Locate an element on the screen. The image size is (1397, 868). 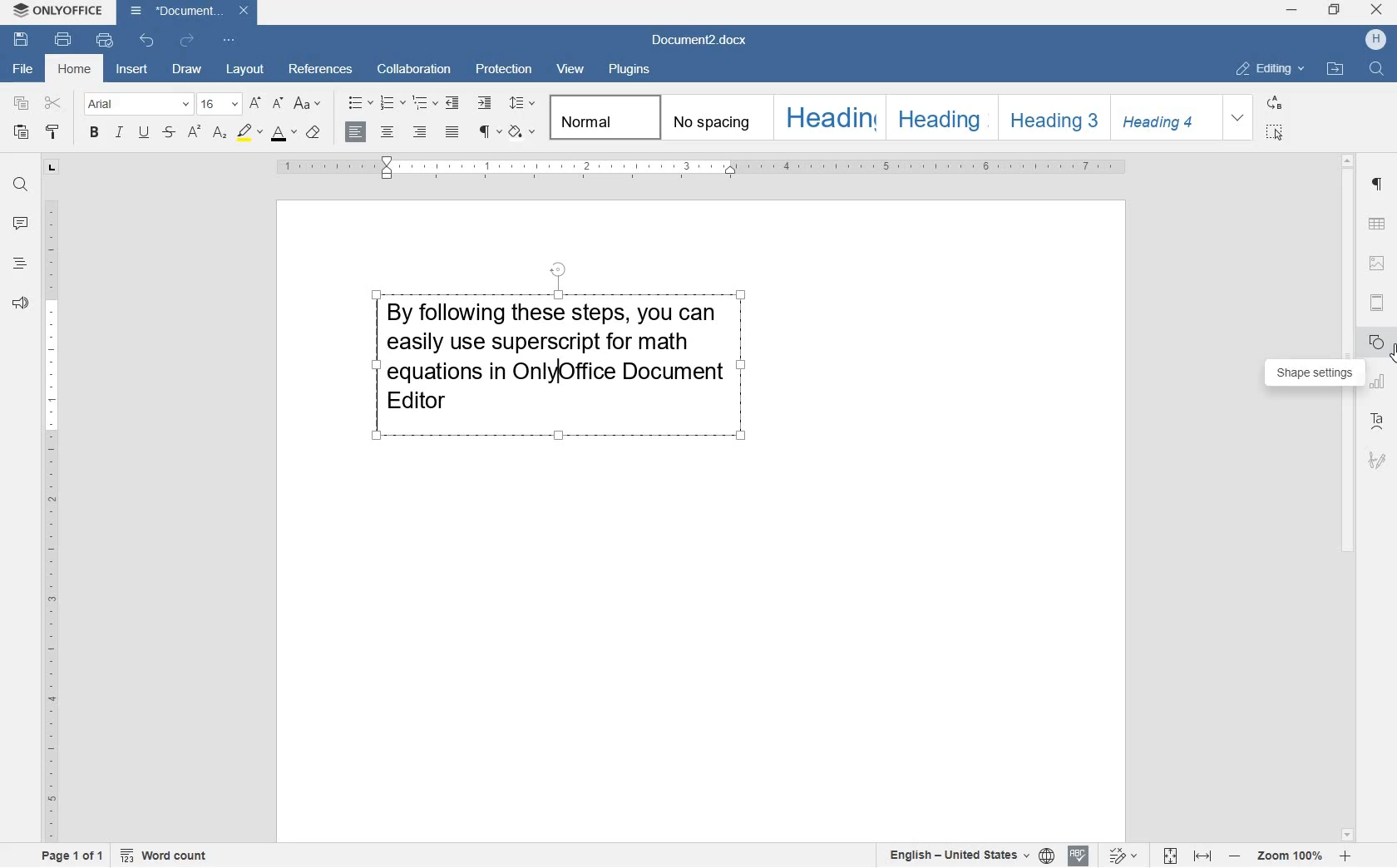
select document/text language is located at coordinates (968, 856).